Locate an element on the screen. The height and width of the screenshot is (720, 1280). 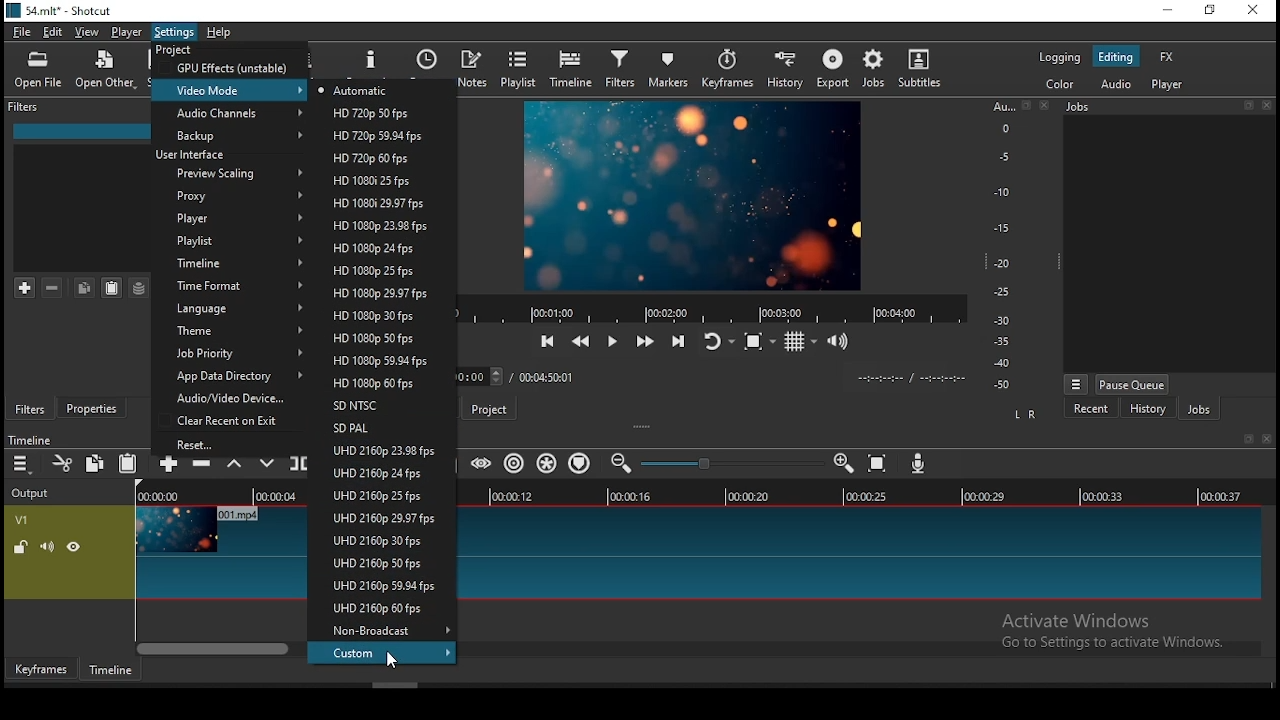
export is located at coordinates (832, 68).